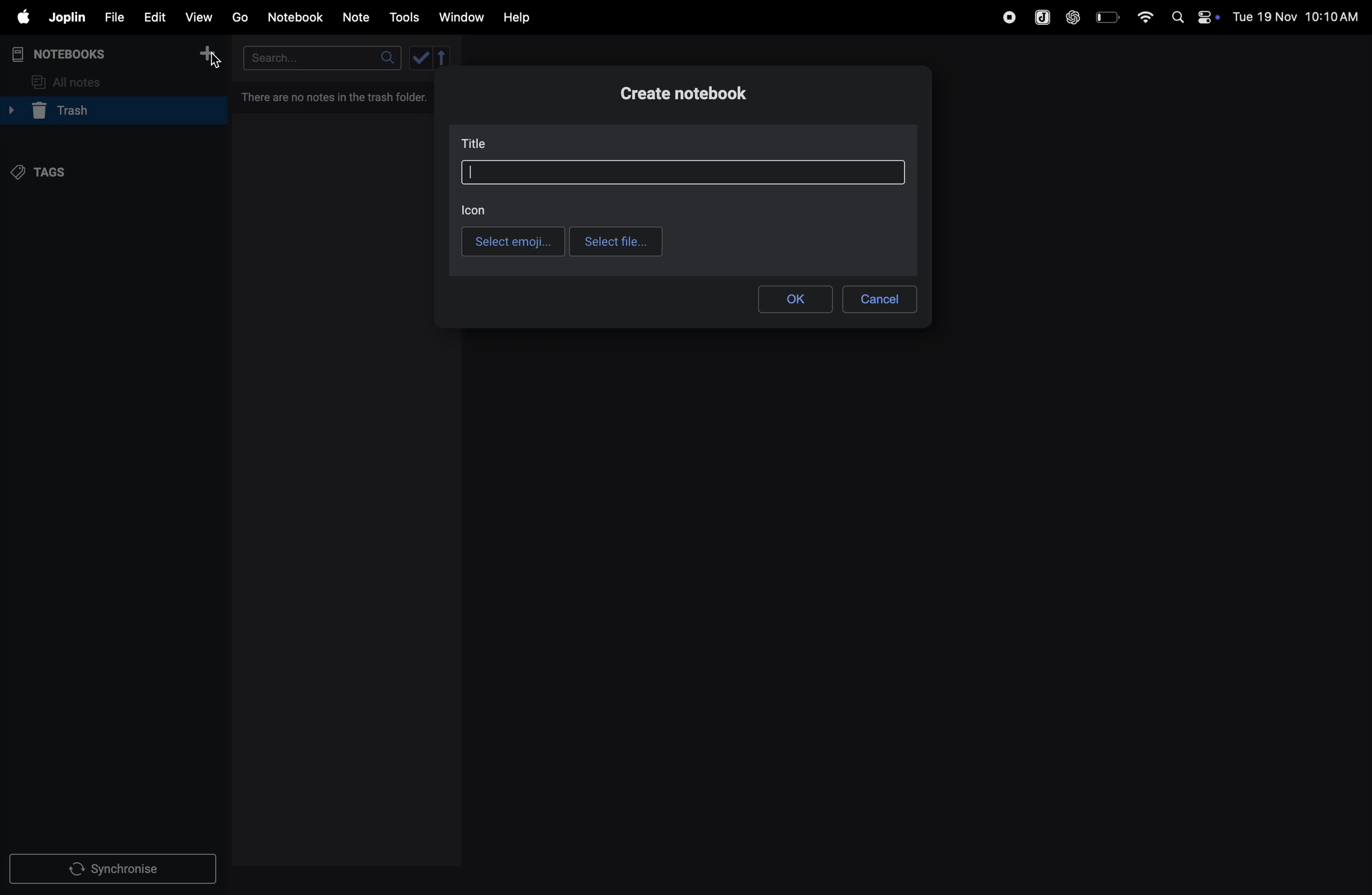 This screenshot has width=1372, height=895. What do you see at coordinates (685, 172) in the screenshot?
I see `search bar` at bounding box center [685, 172].